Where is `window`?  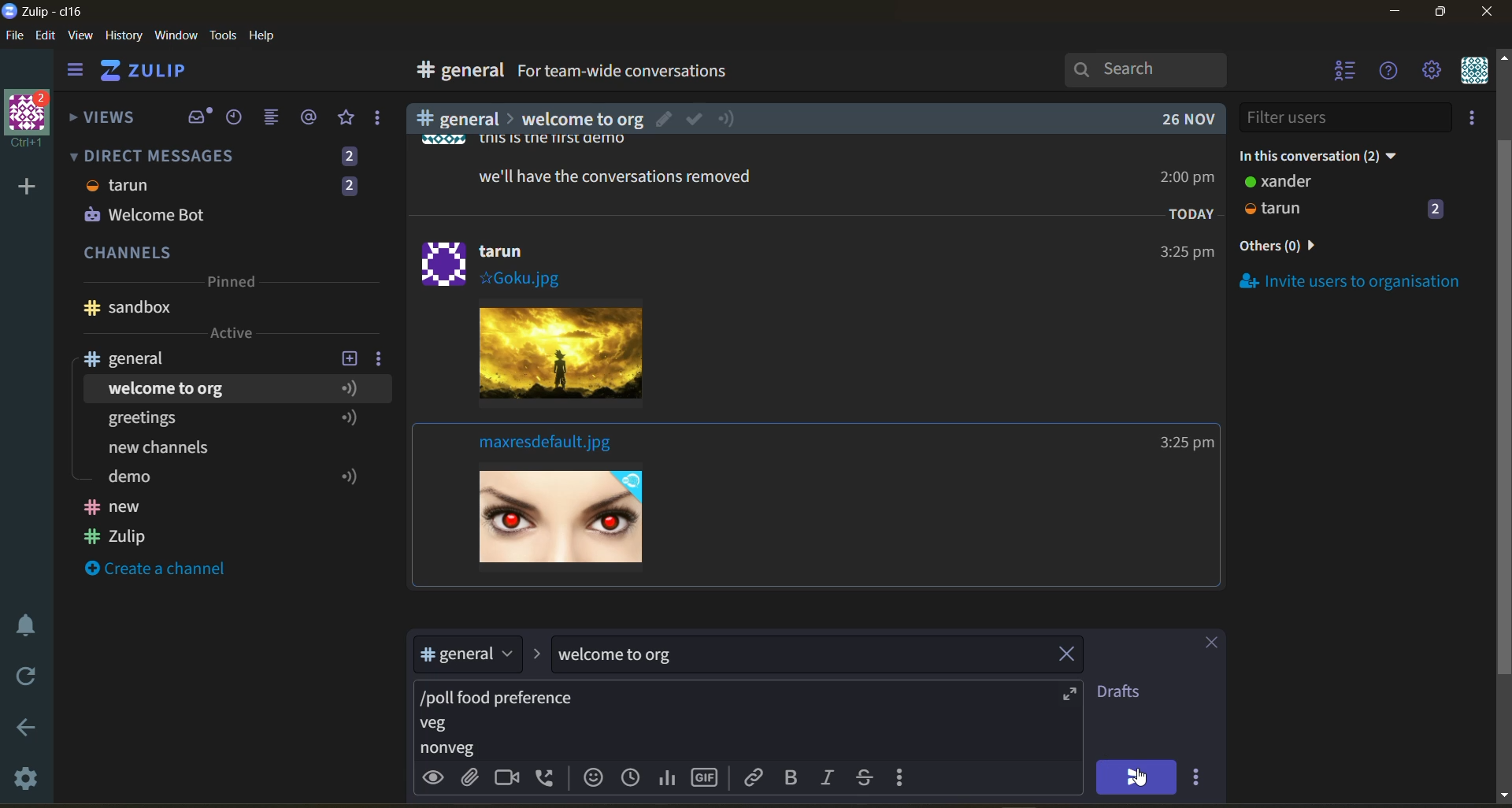
window is located at coordinates (174, 36).